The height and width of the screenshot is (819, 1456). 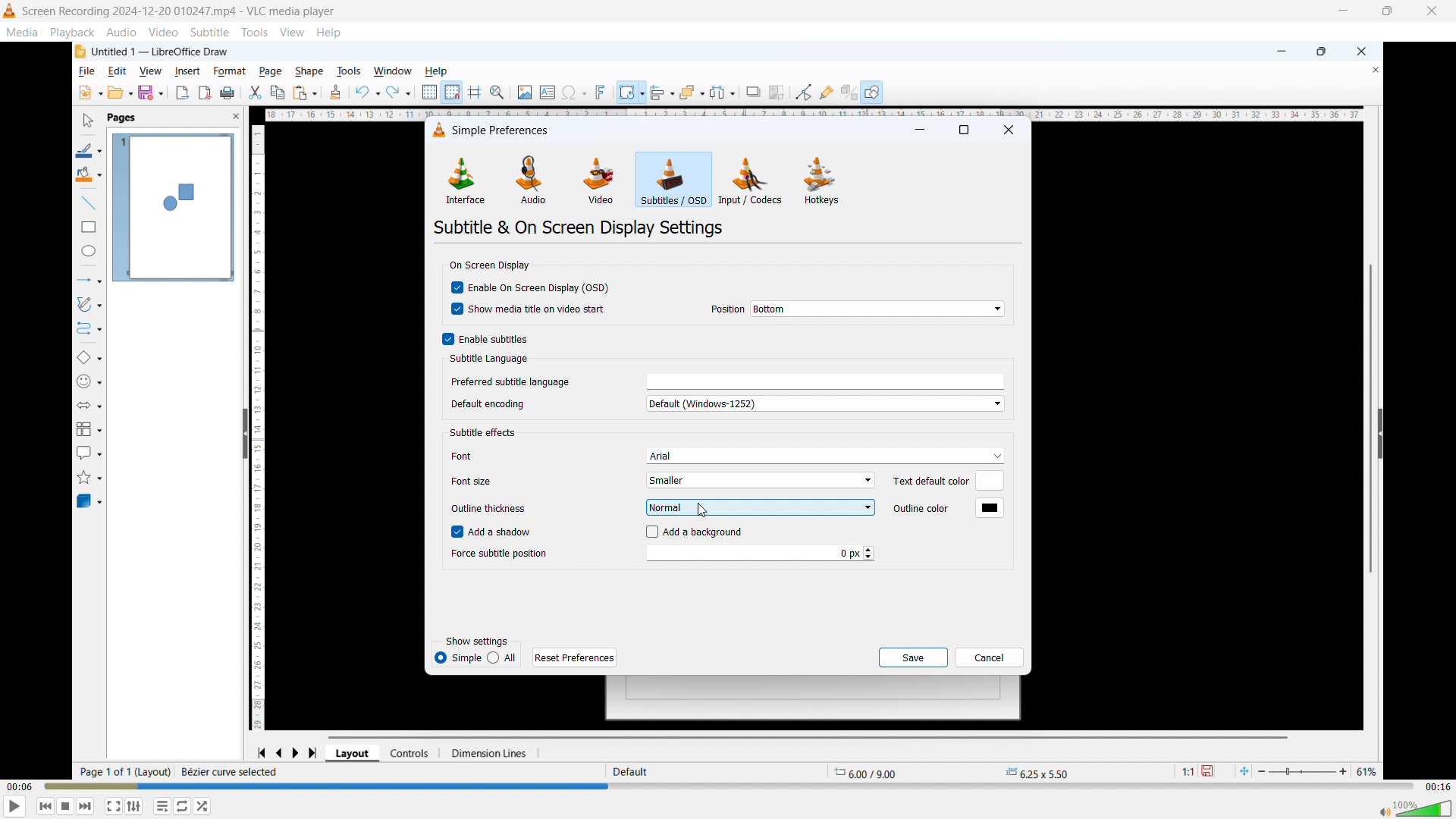 What do you see at coordinates (701, 510) in the screenshot?
I see `Cursor` at bounding box center [701, 510].